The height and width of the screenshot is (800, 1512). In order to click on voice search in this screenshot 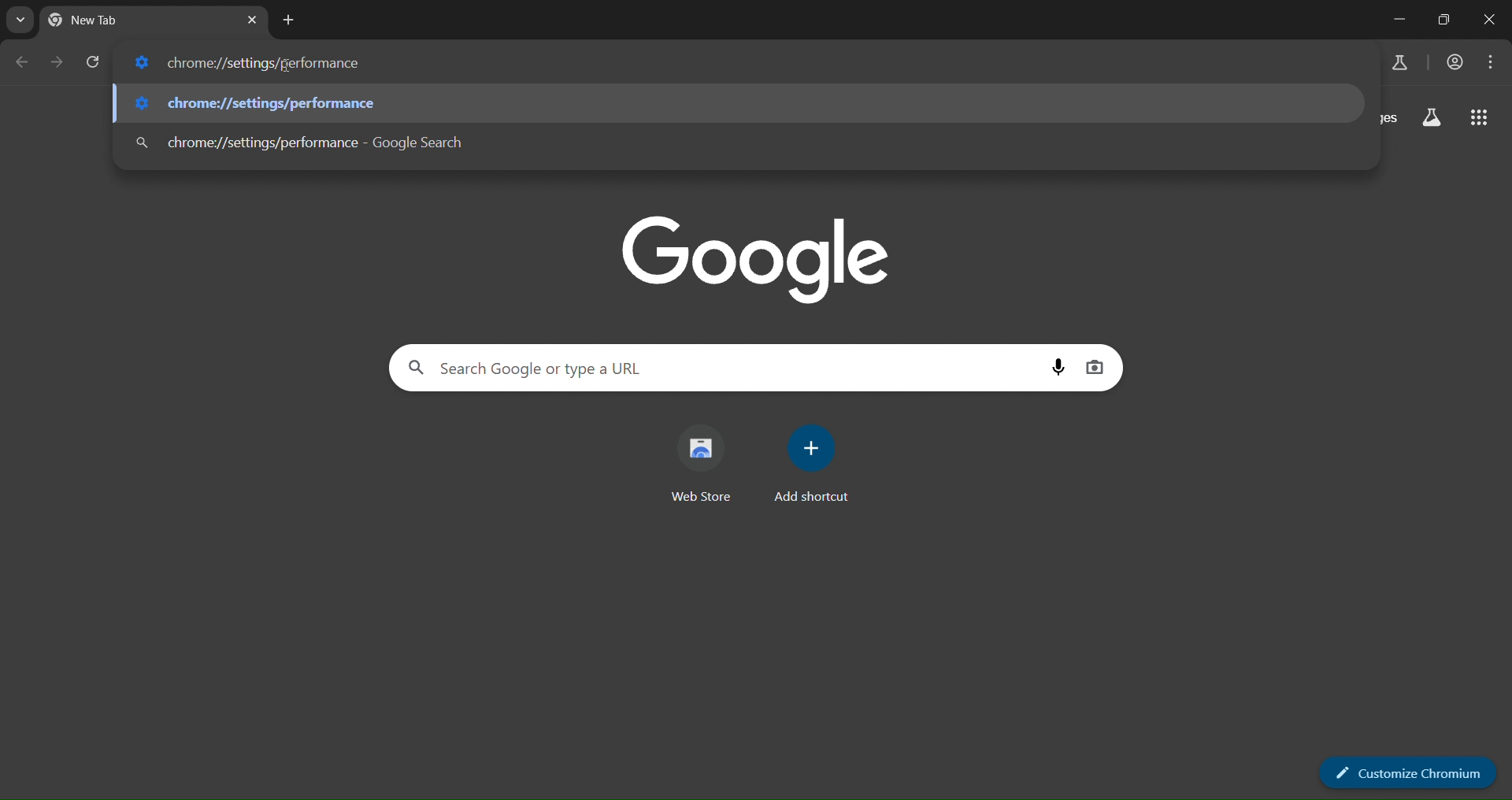, I will do `click(1056, 368)`.